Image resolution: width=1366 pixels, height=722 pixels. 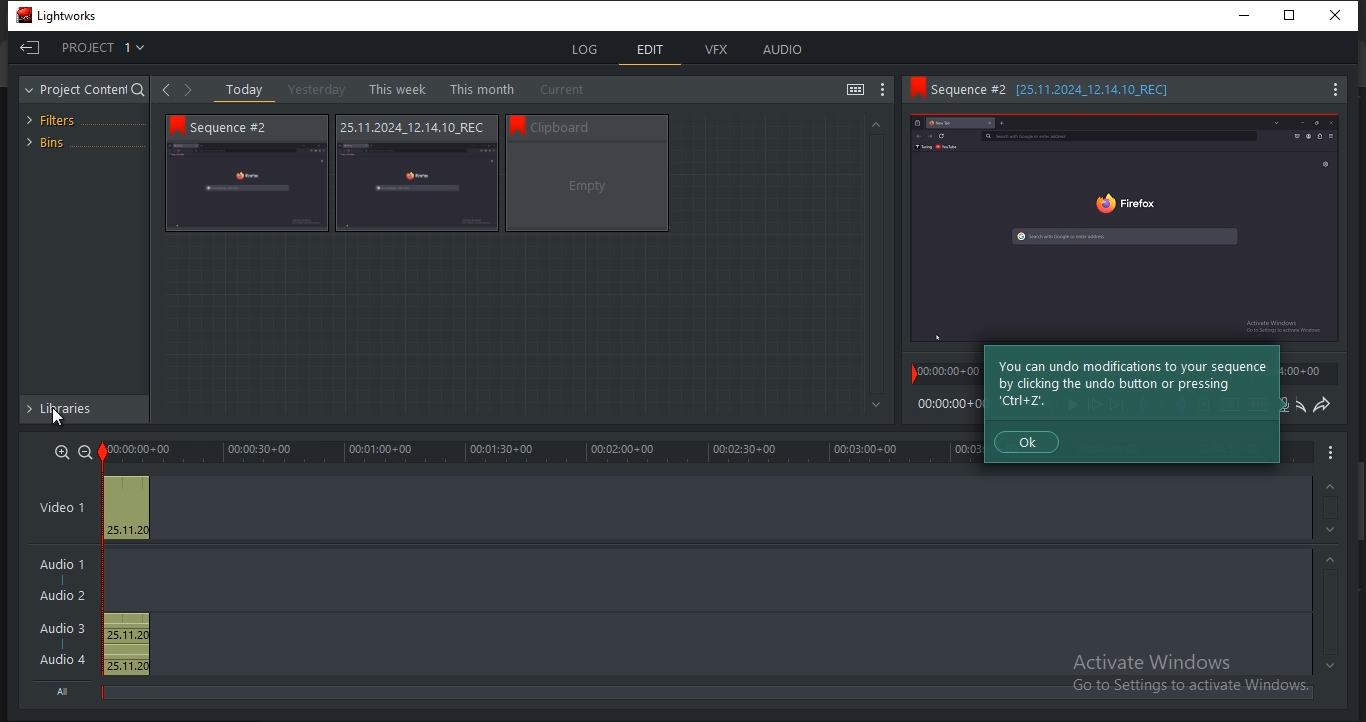 What do you see at coordinates (1029, 442) in the screenshot?
I see `Ok` at bounding box center [1029, 442].